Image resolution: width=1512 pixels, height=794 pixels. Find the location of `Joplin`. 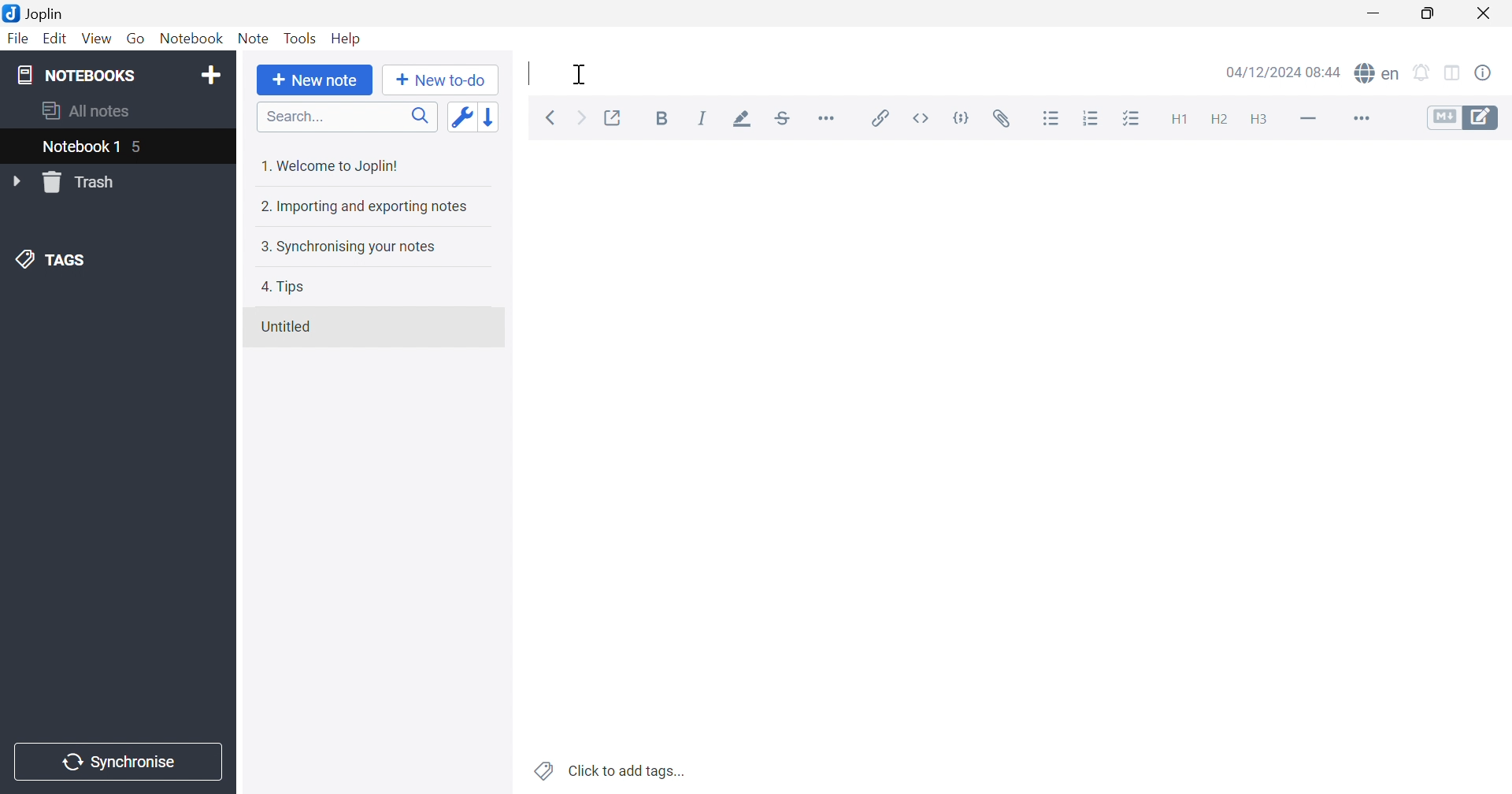

Joplin is located at coordinates (35, 13).